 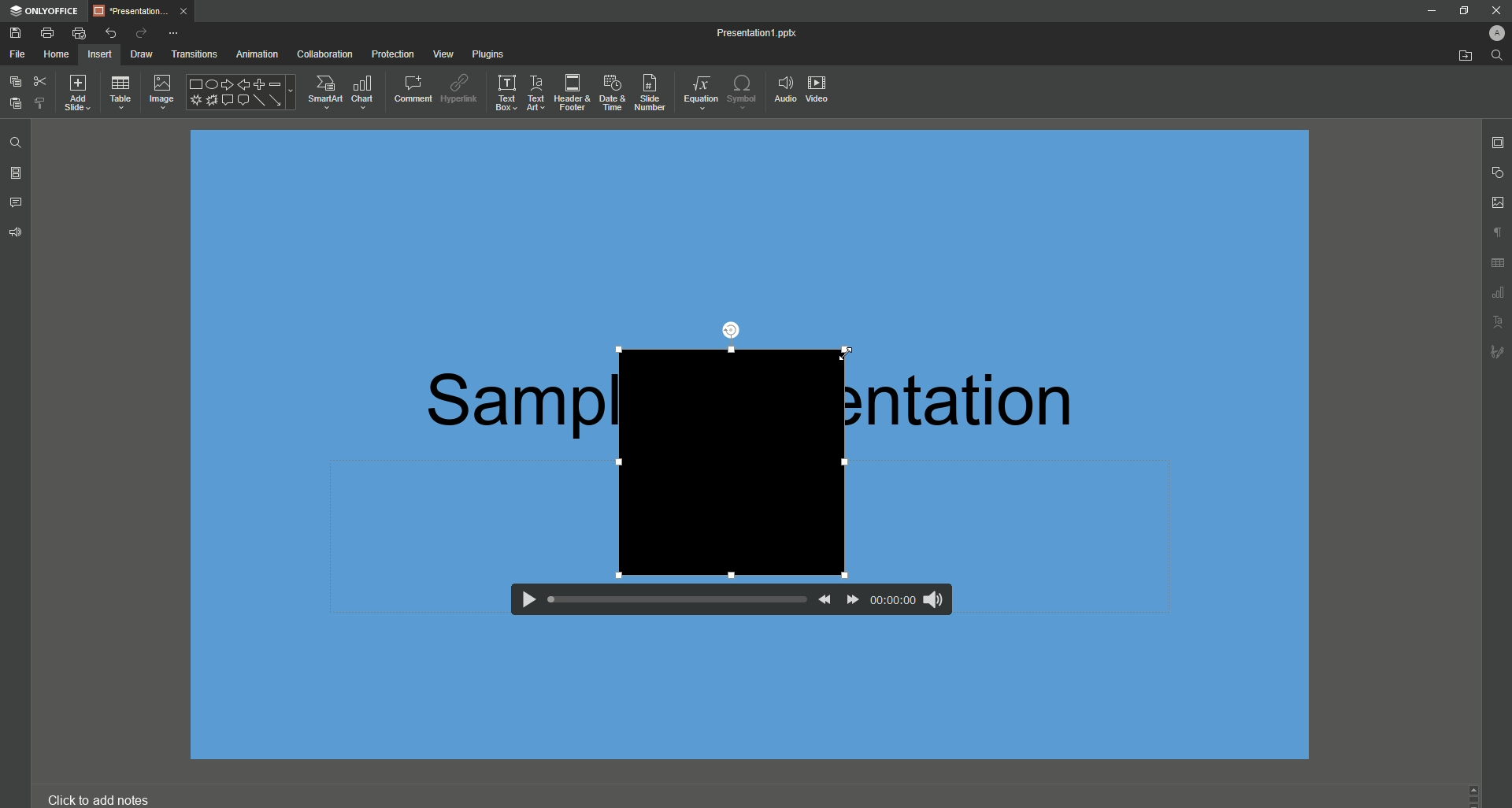 What do you see at coordinates (487, 53) in the screenshot?
I see `Plugins` at bounding box center [487, 53].